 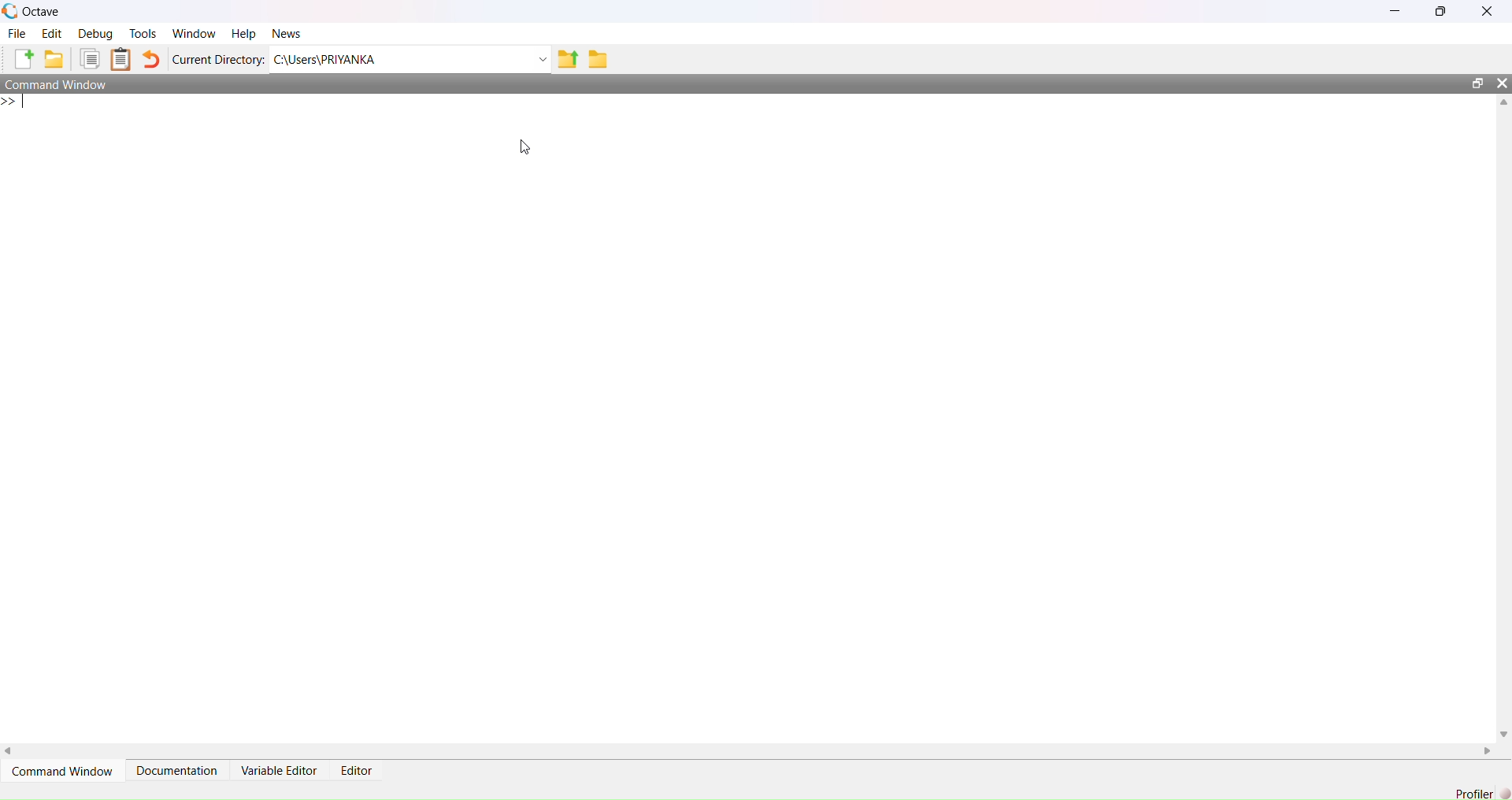 What do you see at coordinates (1499, 85) in the screenshot?
I see `Close` at bounding box center [1499, 85].